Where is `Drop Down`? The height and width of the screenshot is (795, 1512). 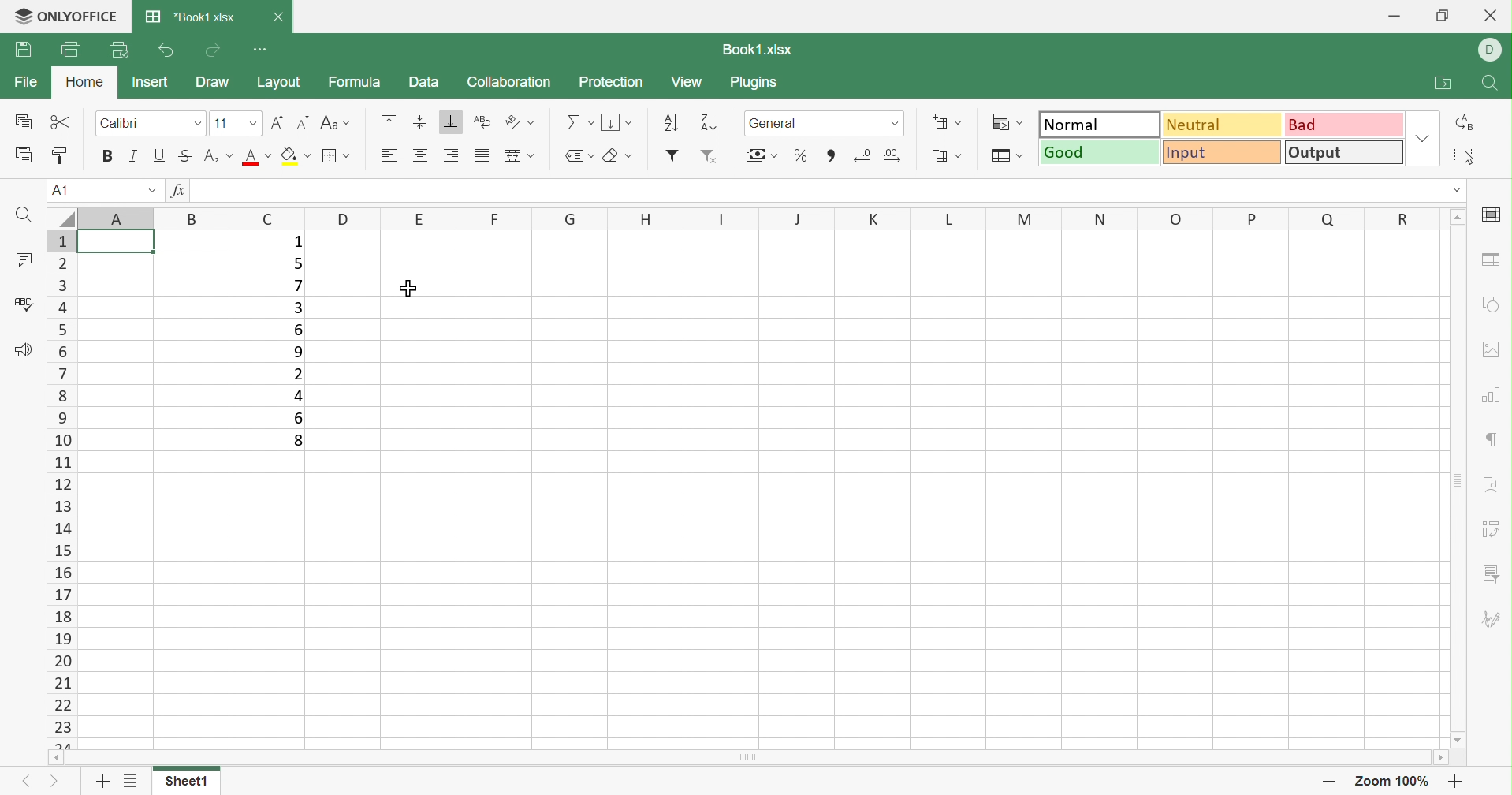 Drop Down is located at coordinates (250, 123).